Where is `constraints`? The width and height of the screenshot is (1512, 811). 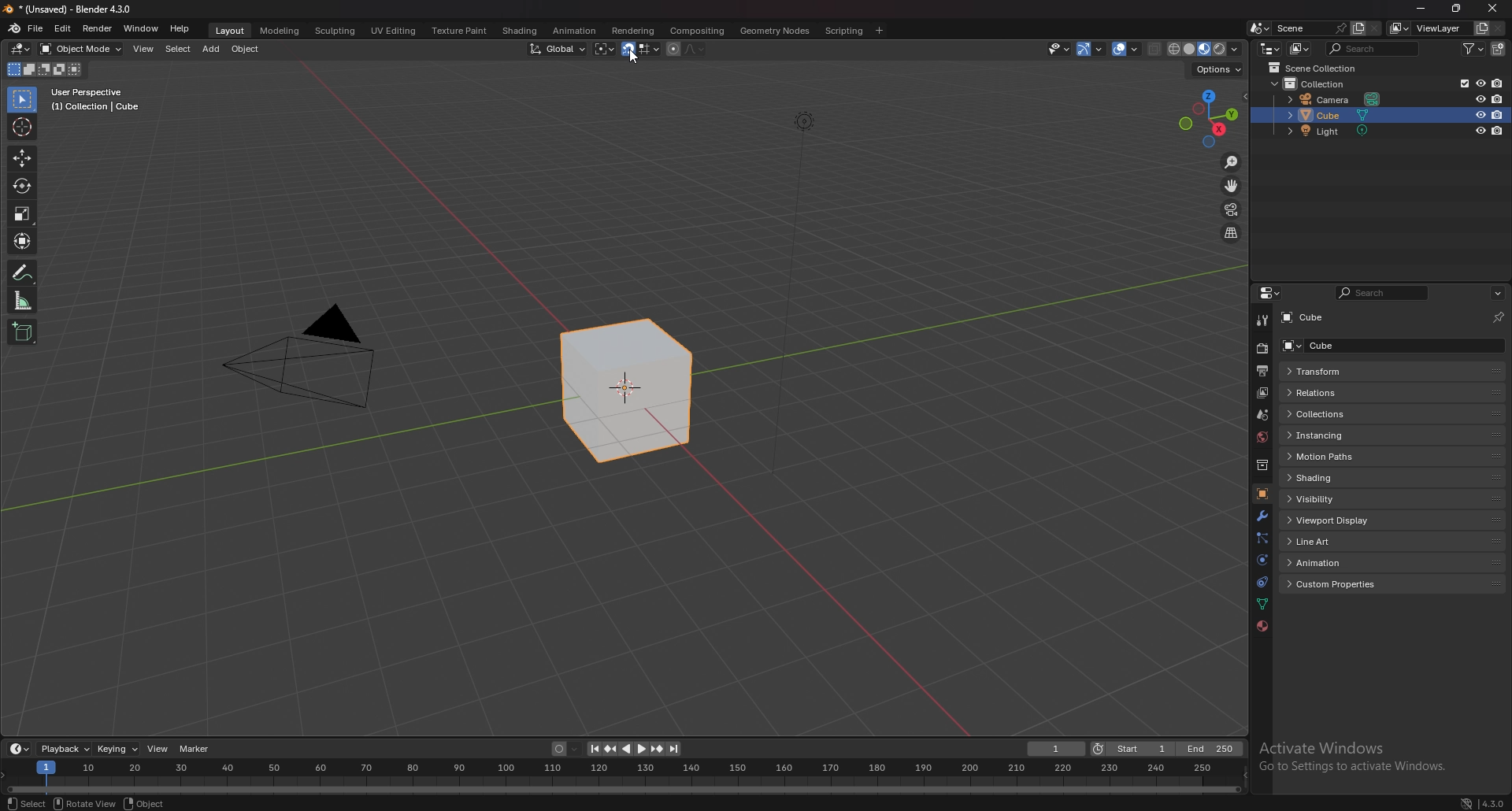
constraints is located at coordinates (1262, 581).